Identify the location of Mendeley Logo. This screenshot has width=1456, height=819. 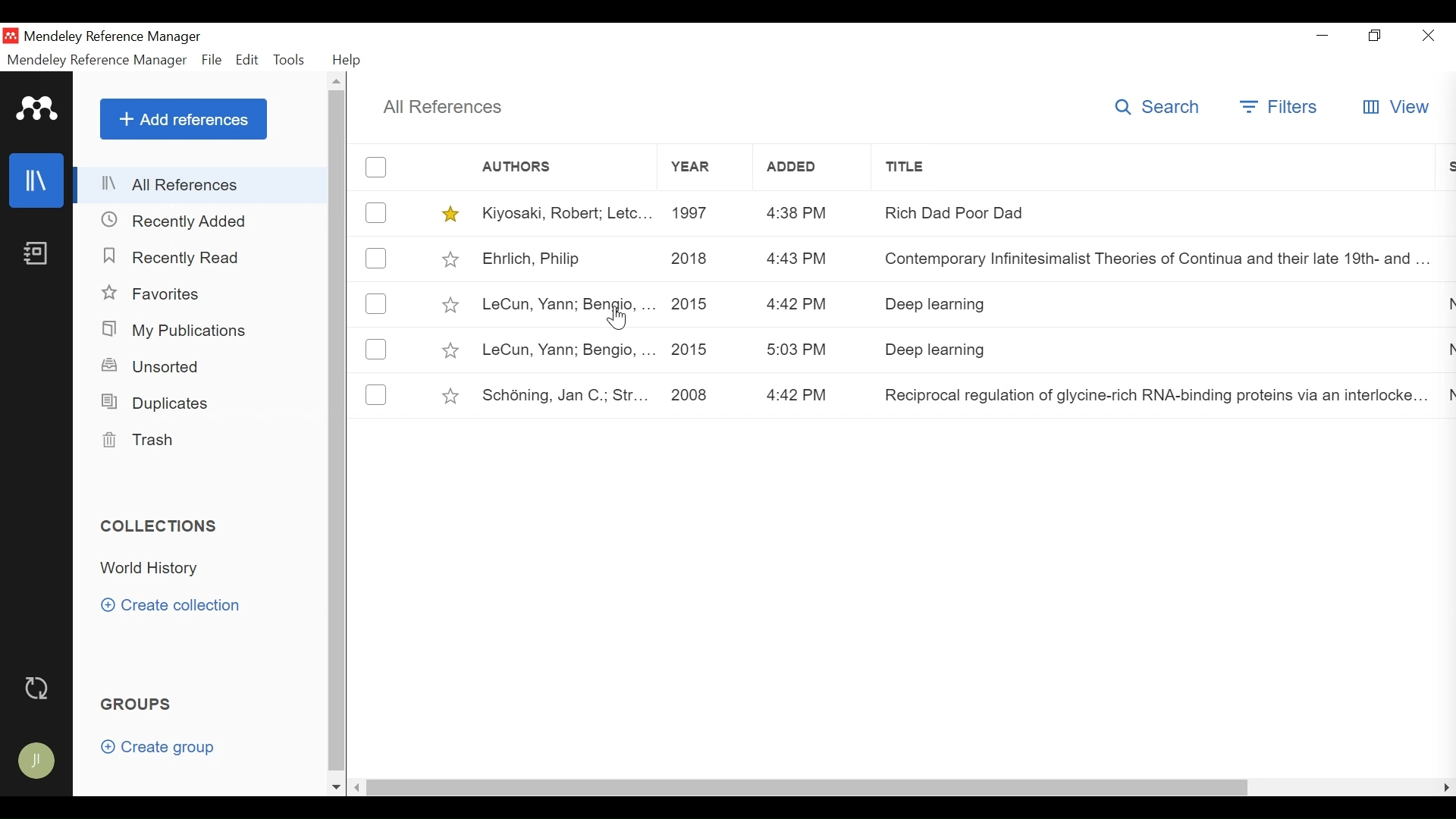
(37, 111).